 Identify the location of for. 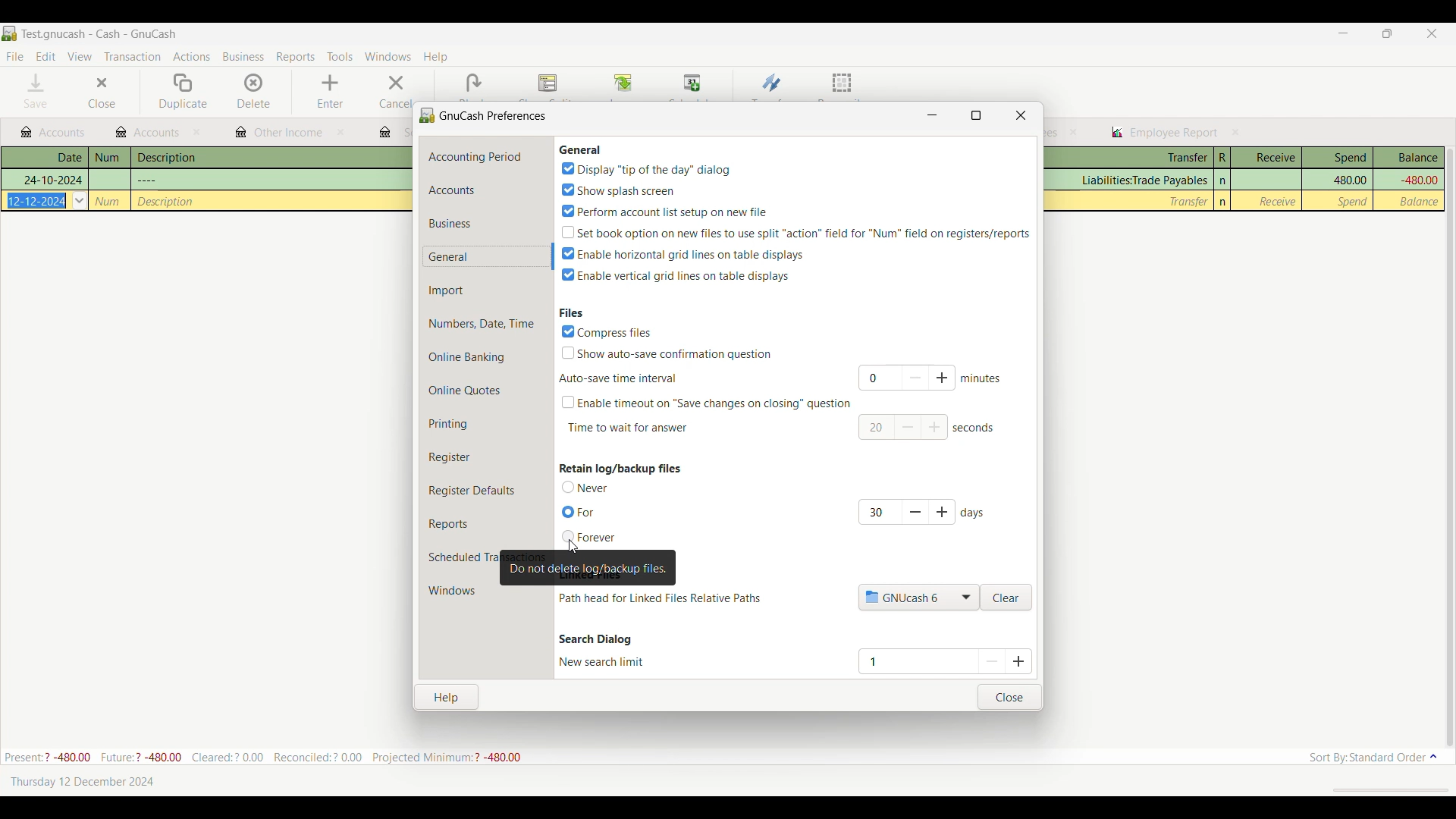
(581, 513).